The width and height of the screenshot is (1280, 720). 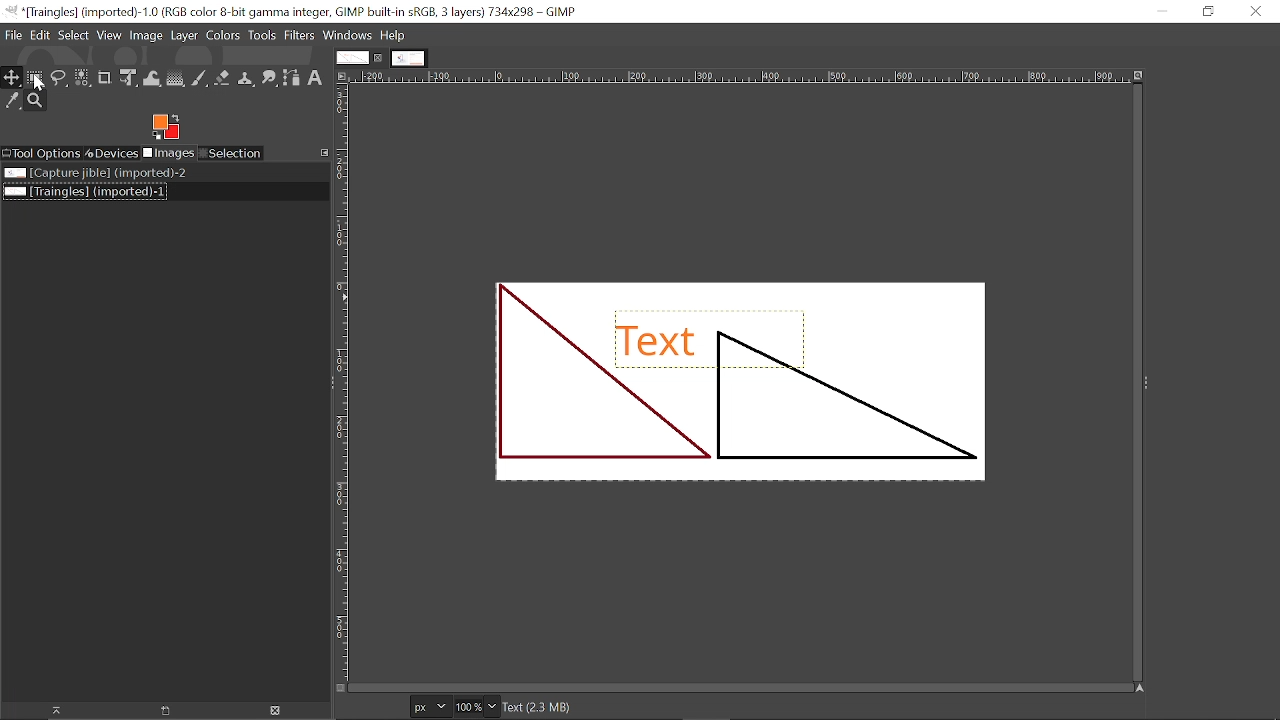 What do you see at coordinates (468, 706) in the screenshot?
I see `Current zoom` at bounding box center [468, 706].